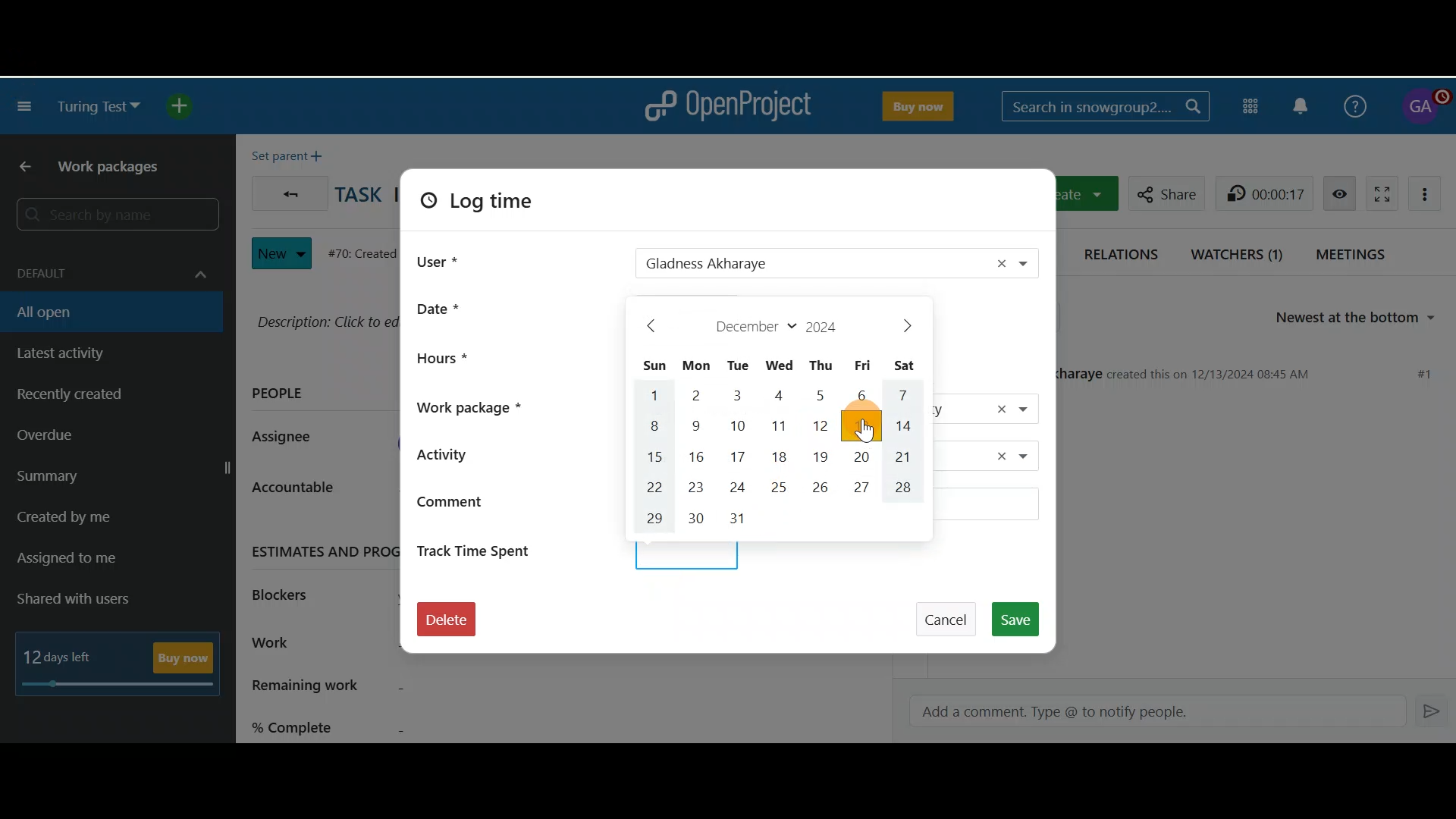 The image size is (1456, 819). What do you see at coordinates (950, 613) in the screenshot?
I see `Cancel` at bounding box center [950, 613].